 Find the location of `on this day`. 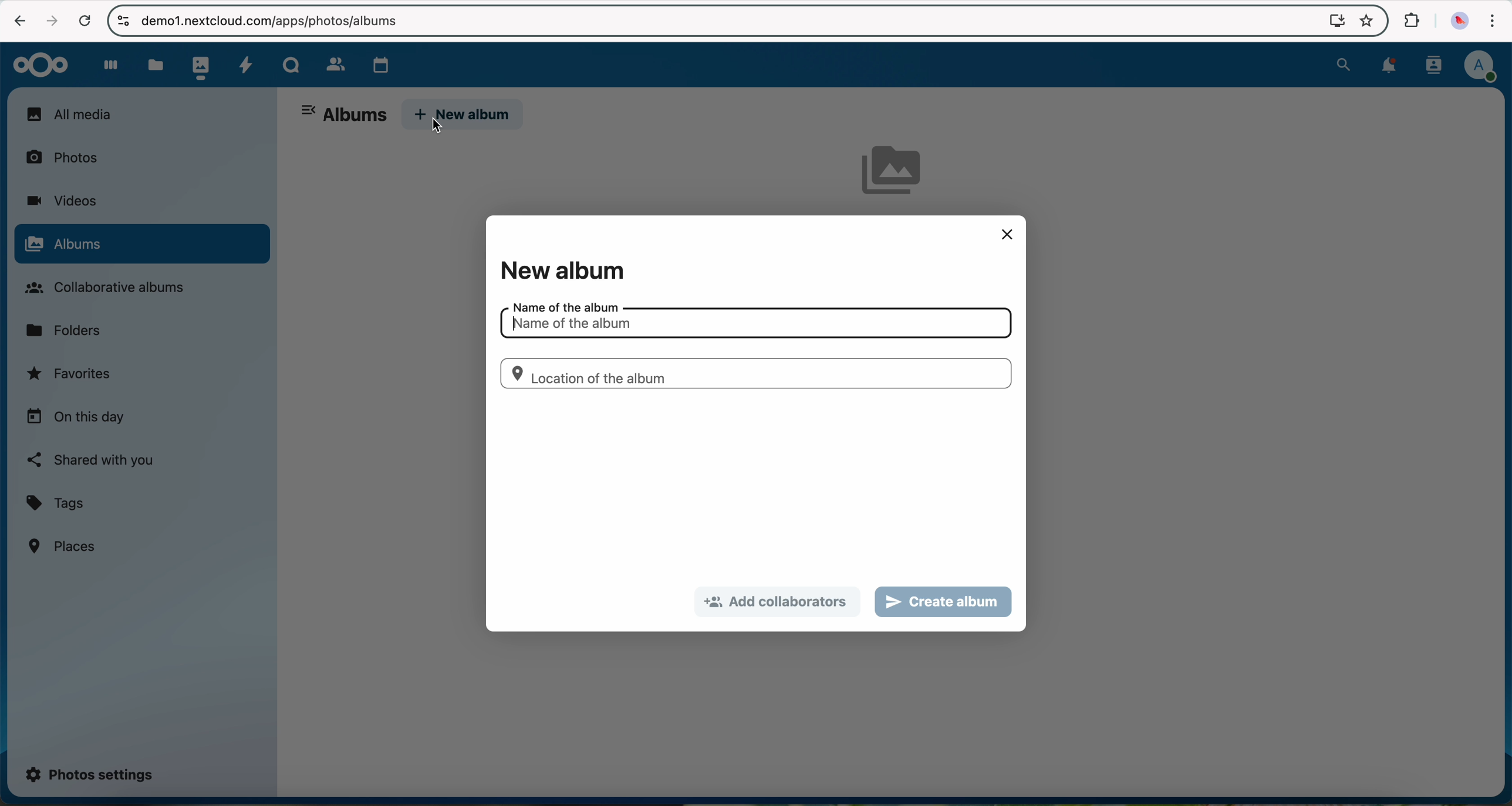

on this day is located at coordinates (76, 418).